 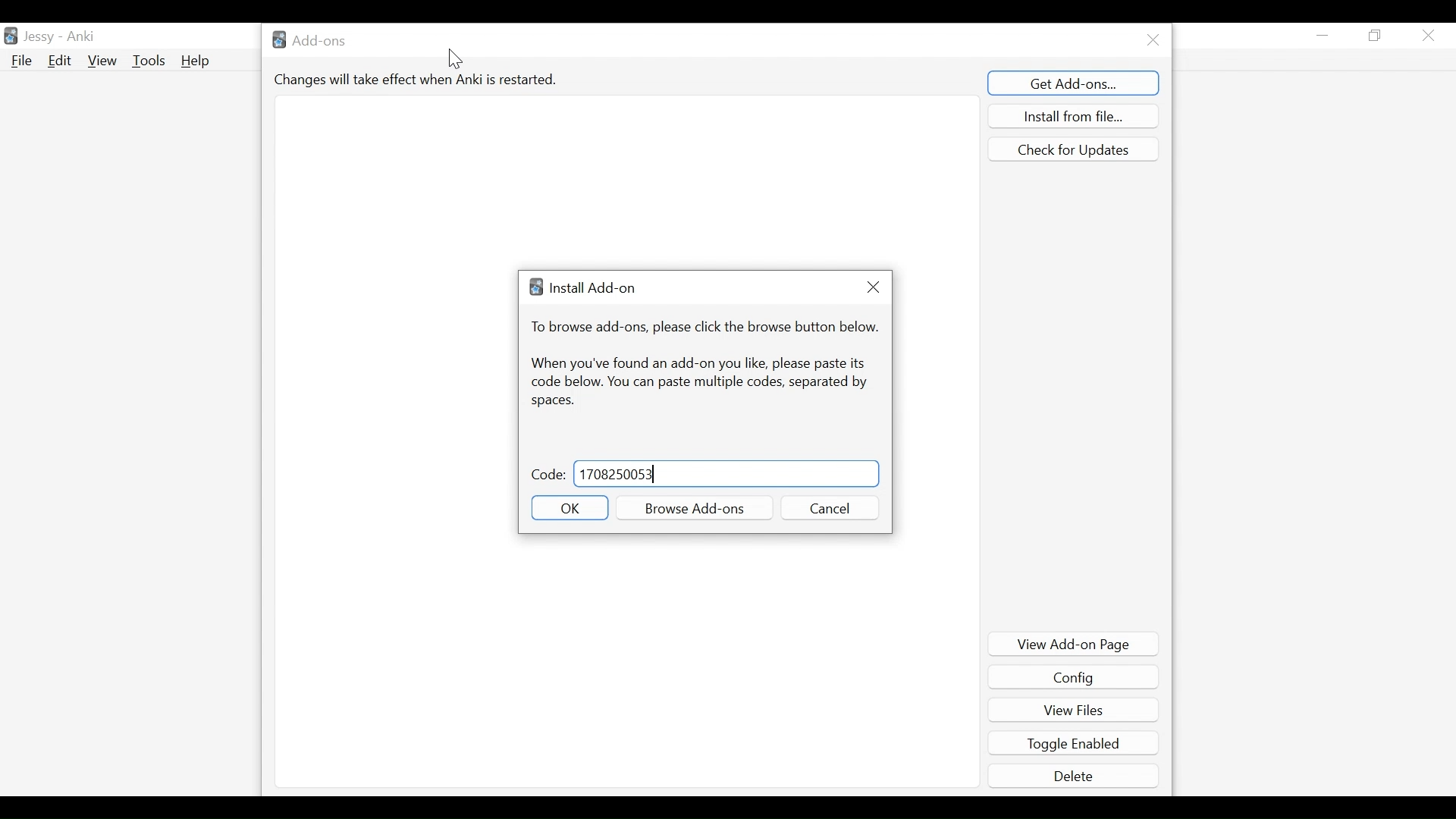 I want to click on Changes will take effect when Anki is restarted, so click(x=418, y=79).